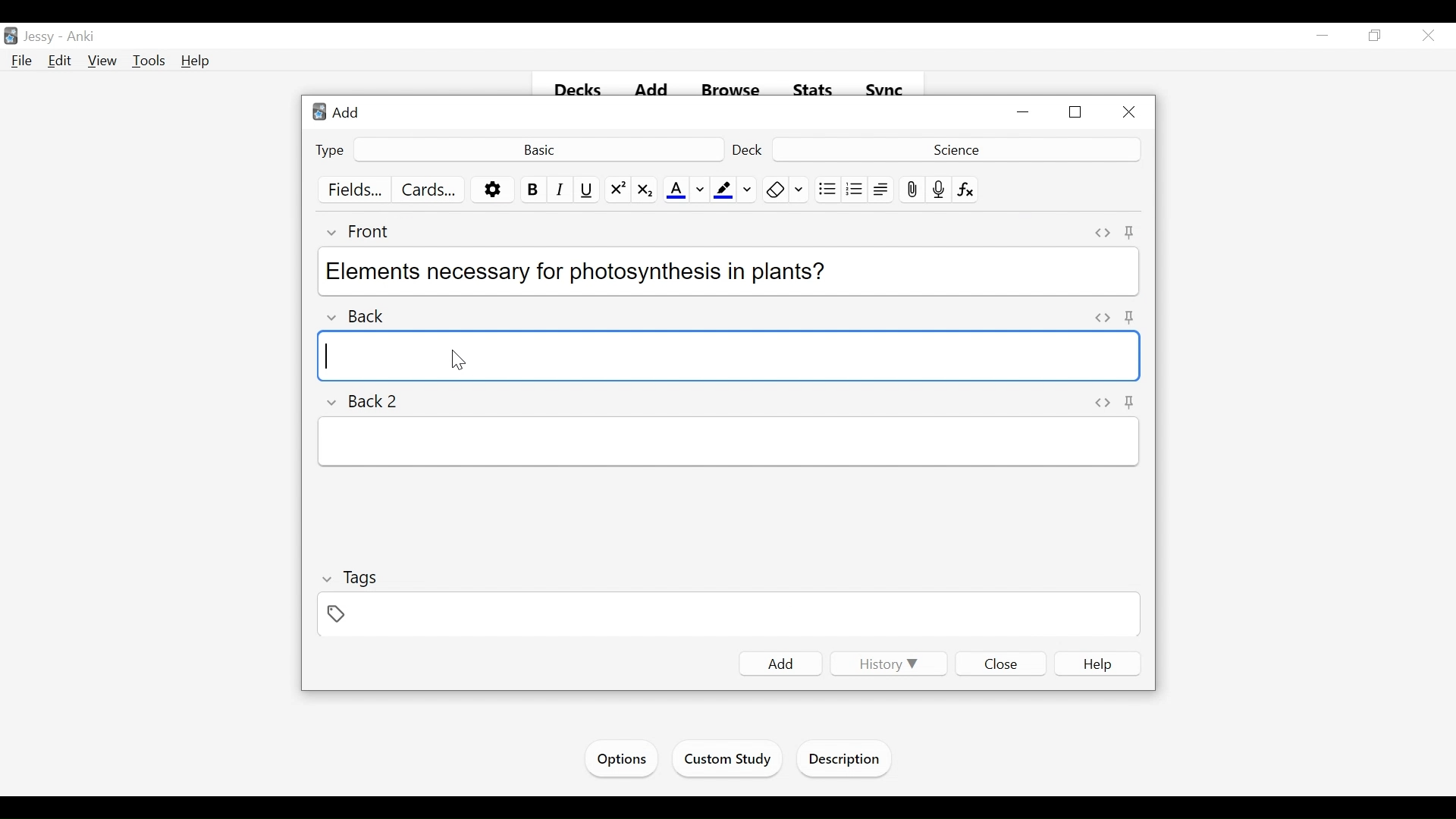  What do you see at coordinates (11, 36) in the screenshot?
I see `Anki Desktop Icon` at bounding box center [11, 36].